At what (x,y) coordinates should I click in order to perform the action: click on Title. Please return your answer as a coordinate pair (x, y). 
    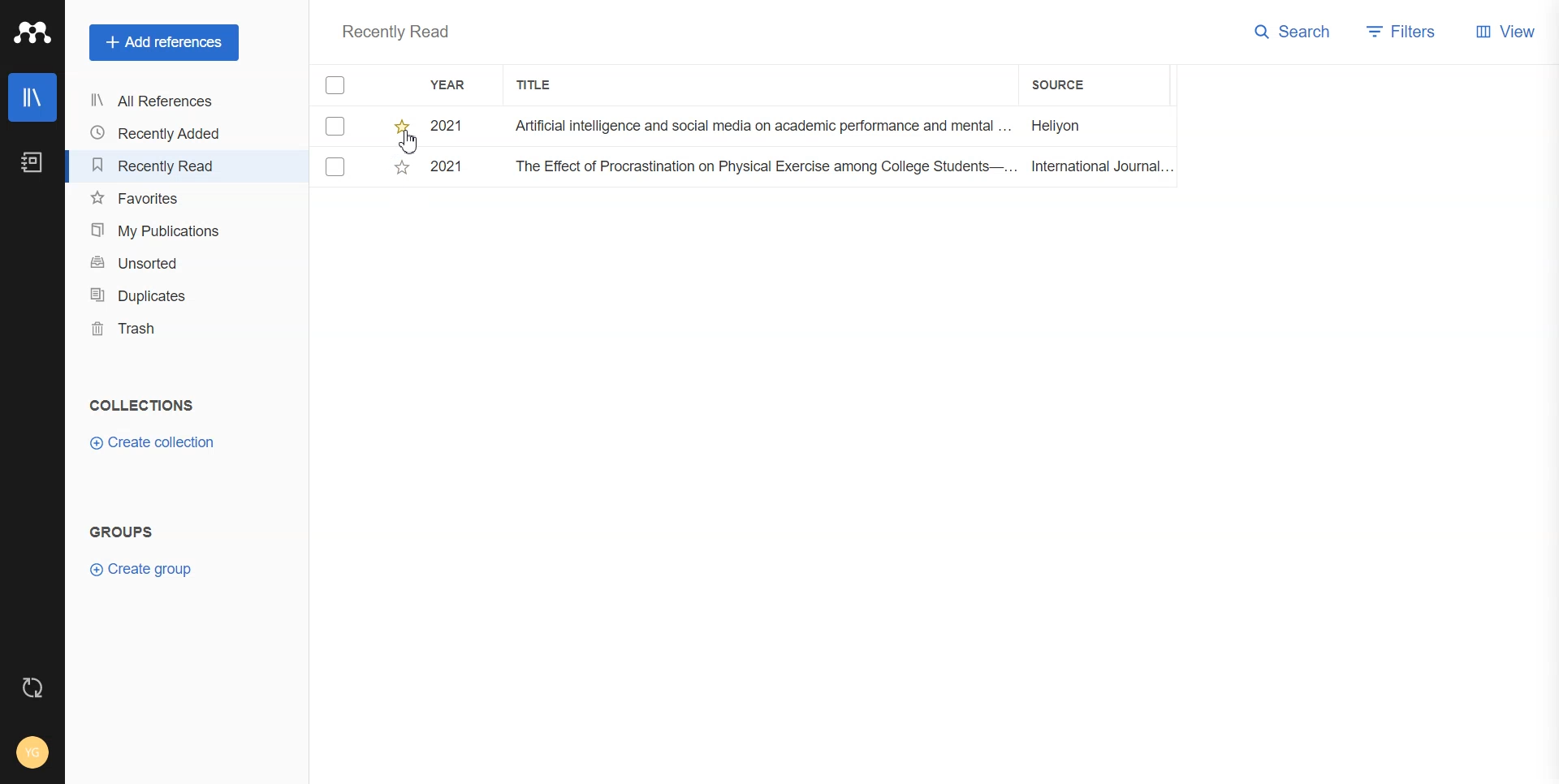
    Looking at the image, I should click on (547, 84).